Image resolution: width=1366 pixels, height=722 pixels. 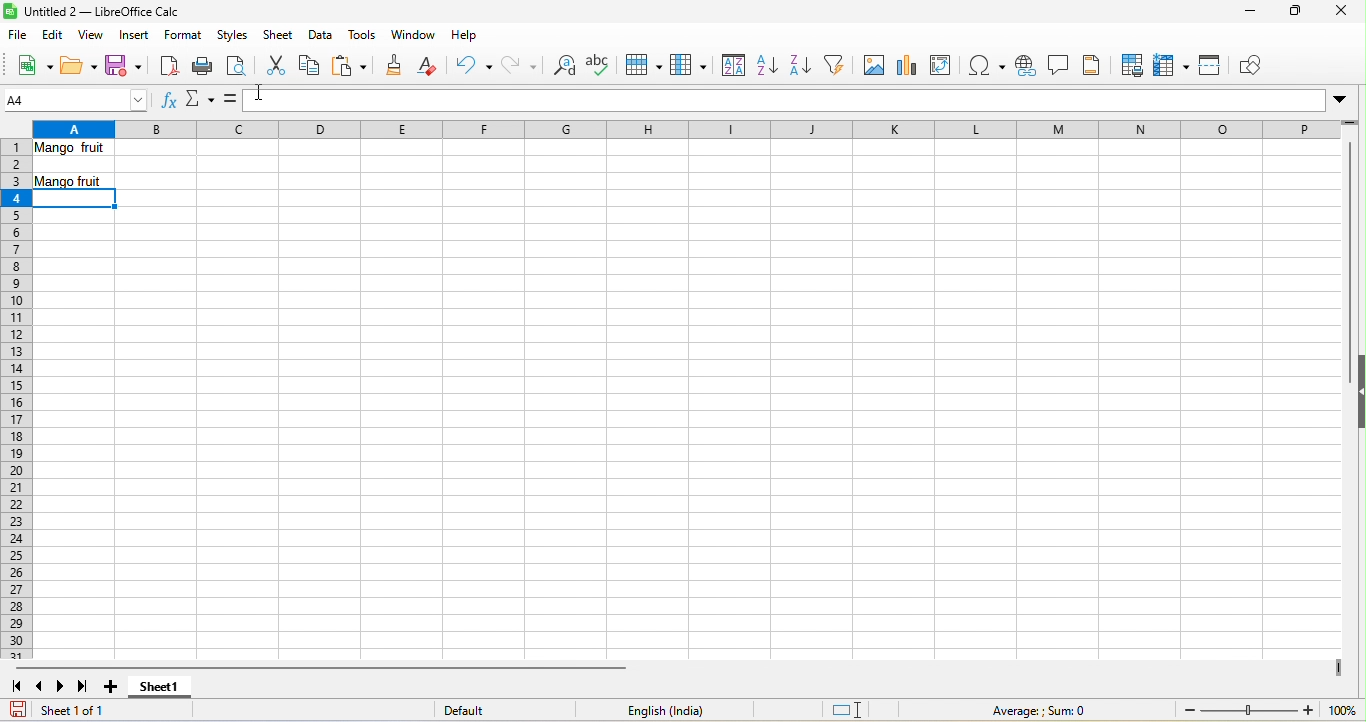 What do you see at coordinates (73, 183) in the screenshot?
I see `mango fruit text trimmed ` at bounding box center [73, 183].